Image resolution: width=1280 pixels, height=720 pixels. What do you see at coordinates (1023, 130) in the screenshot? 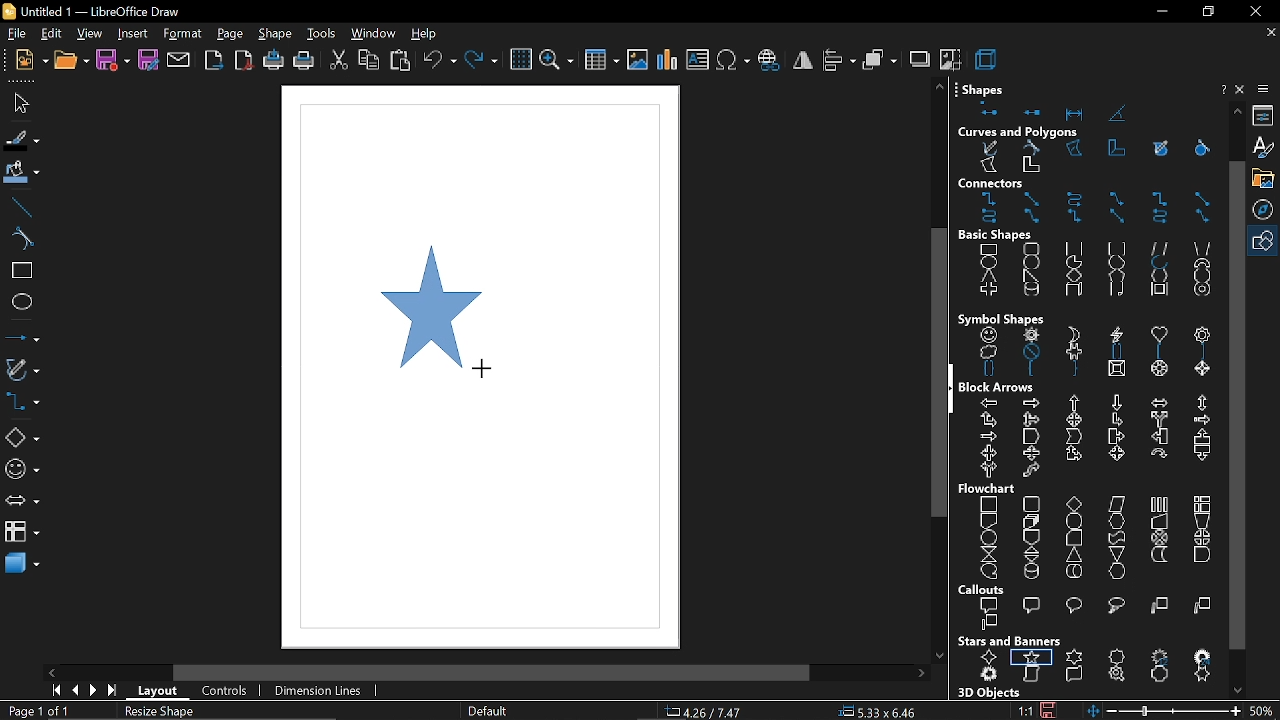
I see `curves  and polygons` at bounding box center [1023, 130].